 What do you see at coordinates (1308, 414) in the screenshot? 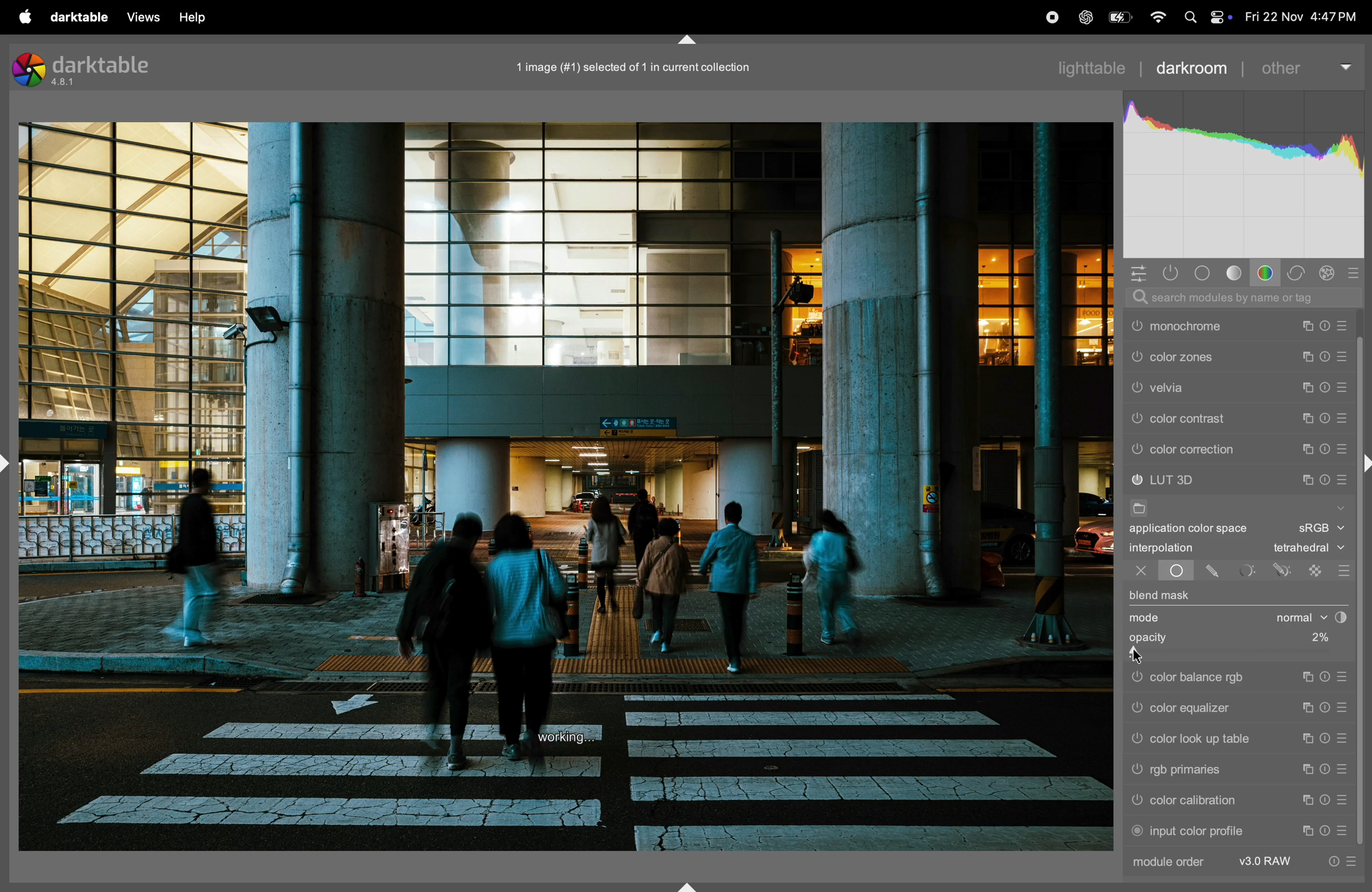
I see `multiple intance actions` at bounding box center [1308, 414].